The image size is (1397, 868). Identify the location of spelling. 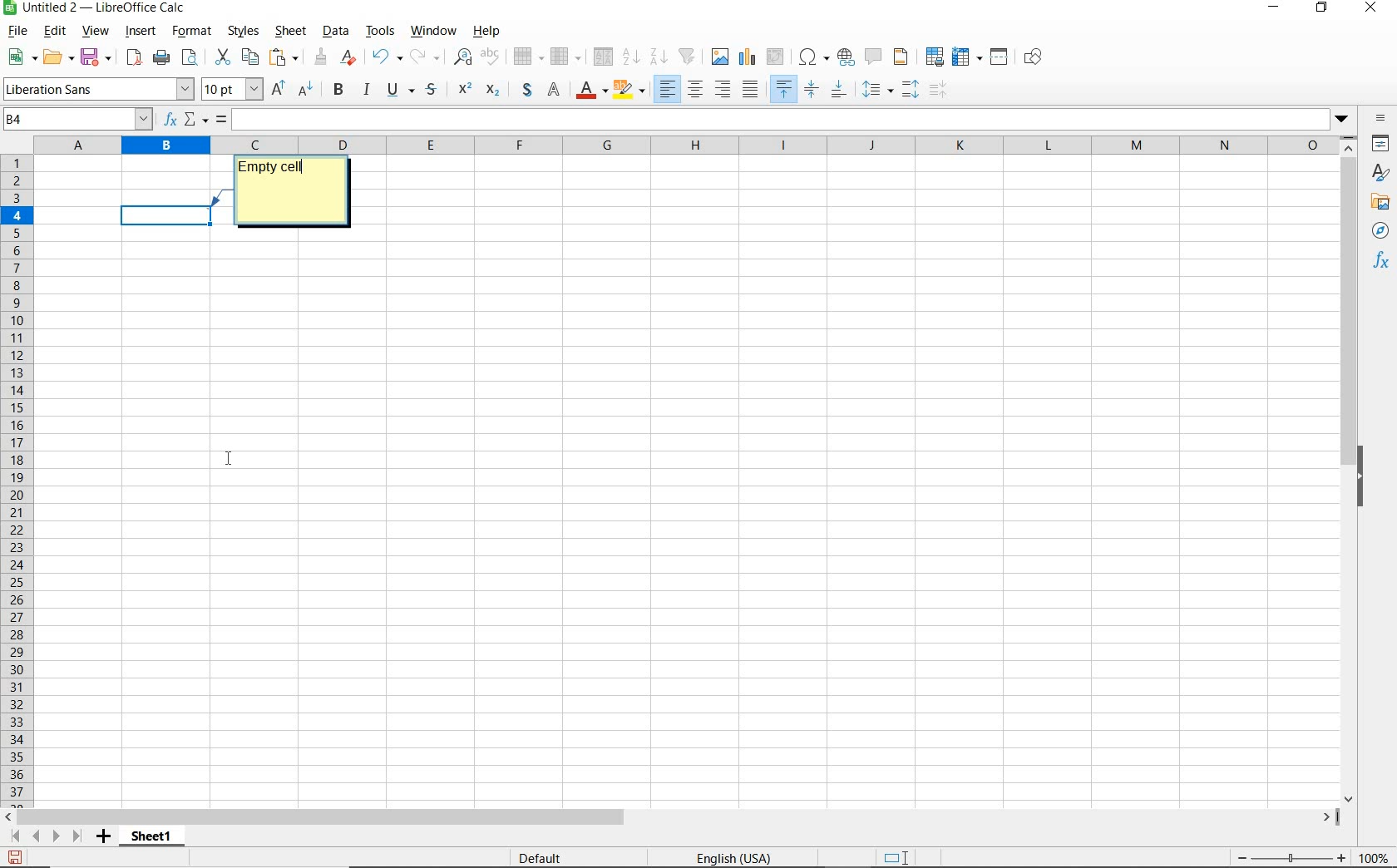
(491, 57).